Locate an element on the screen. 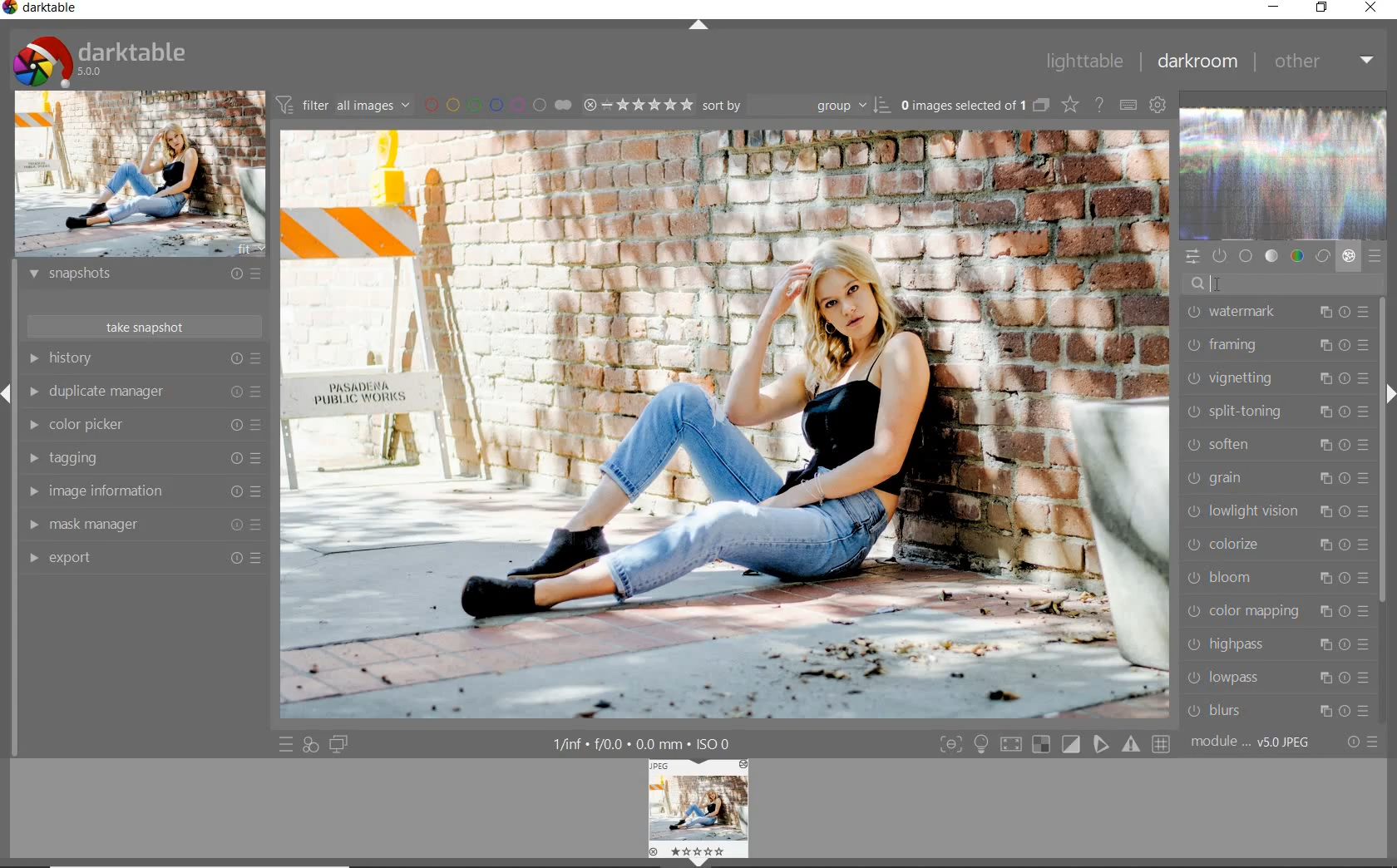  lowpass is located at coordinates (1276, 679).